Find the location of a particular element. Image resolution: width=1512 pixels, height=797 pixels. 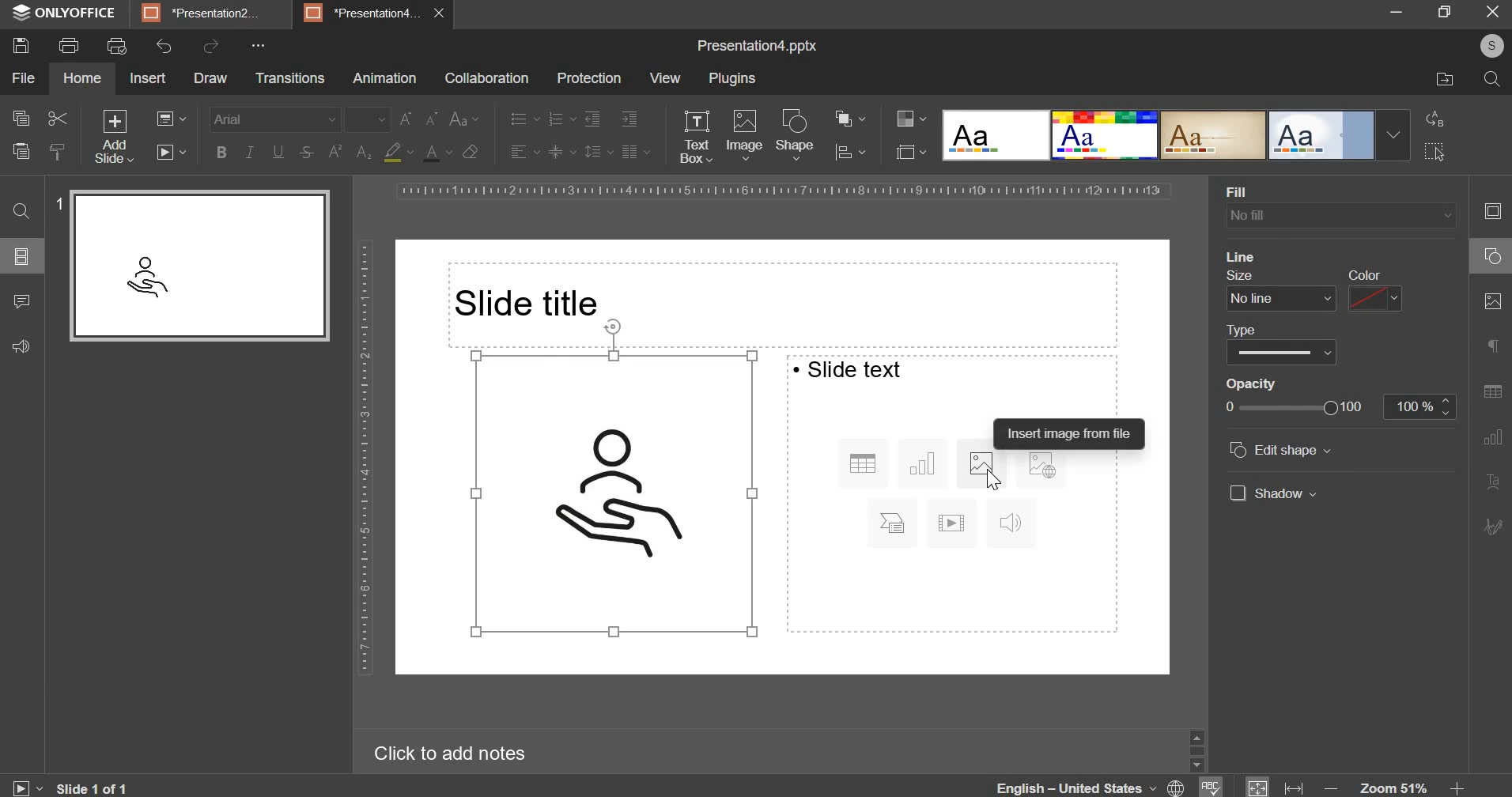

subscript & superscript is located at coordinates (349, 152).